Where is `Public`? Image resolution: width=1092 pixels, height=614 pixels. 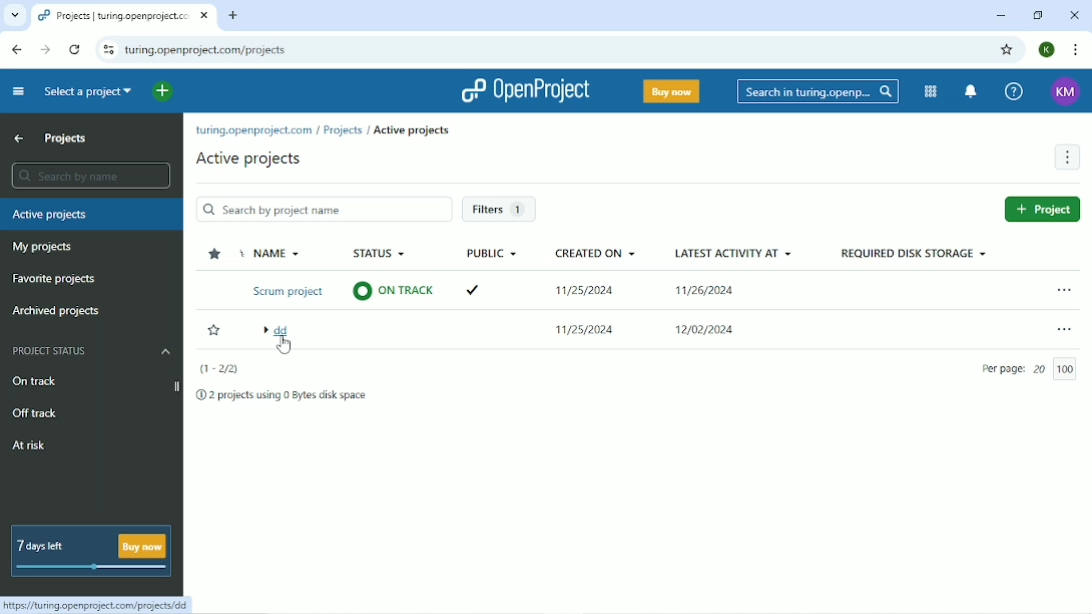 Public is located at coordinates (489, 276).